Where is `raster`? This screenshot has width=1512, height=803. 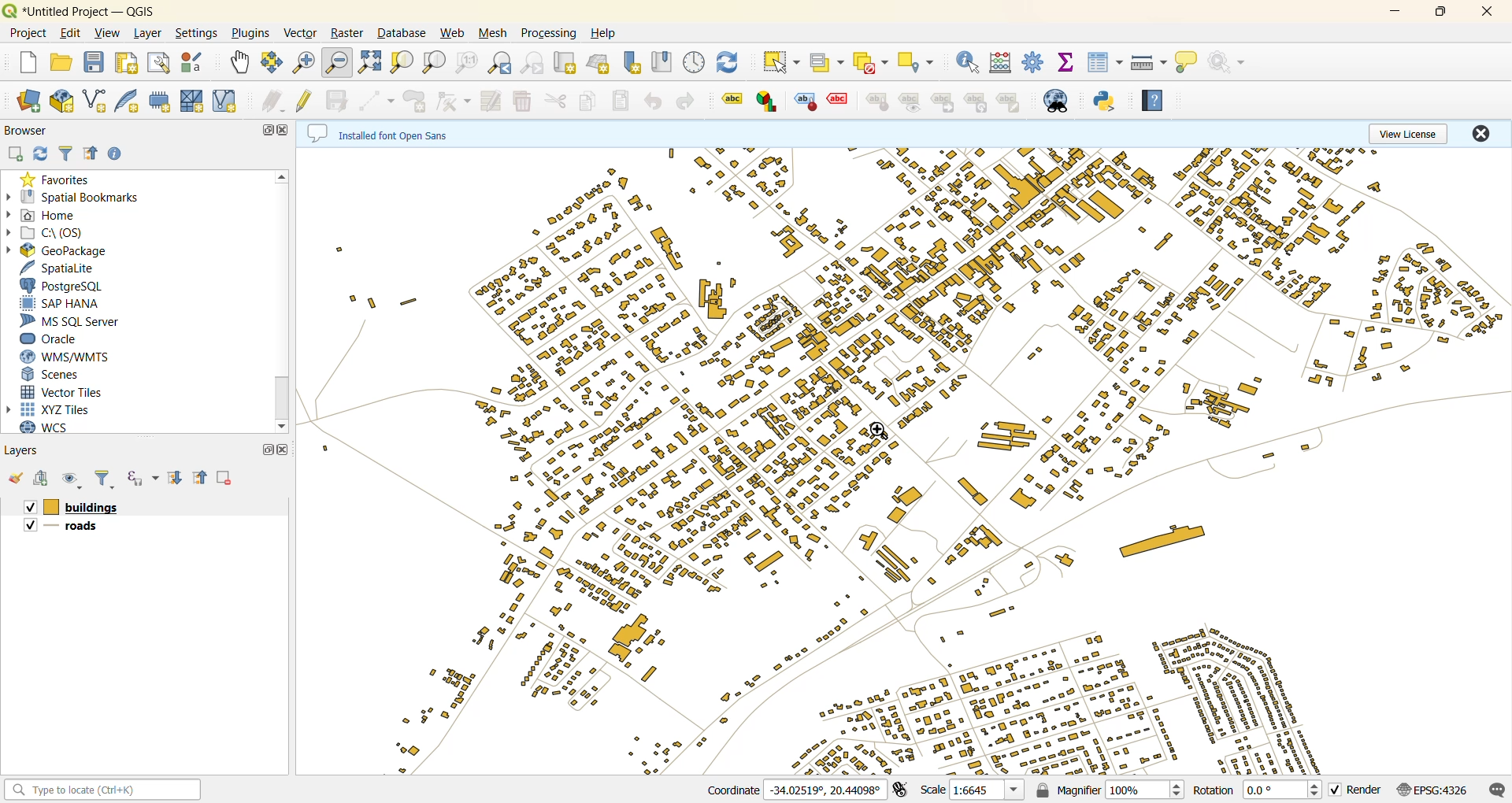 raster is located at coordinates (347, 32).